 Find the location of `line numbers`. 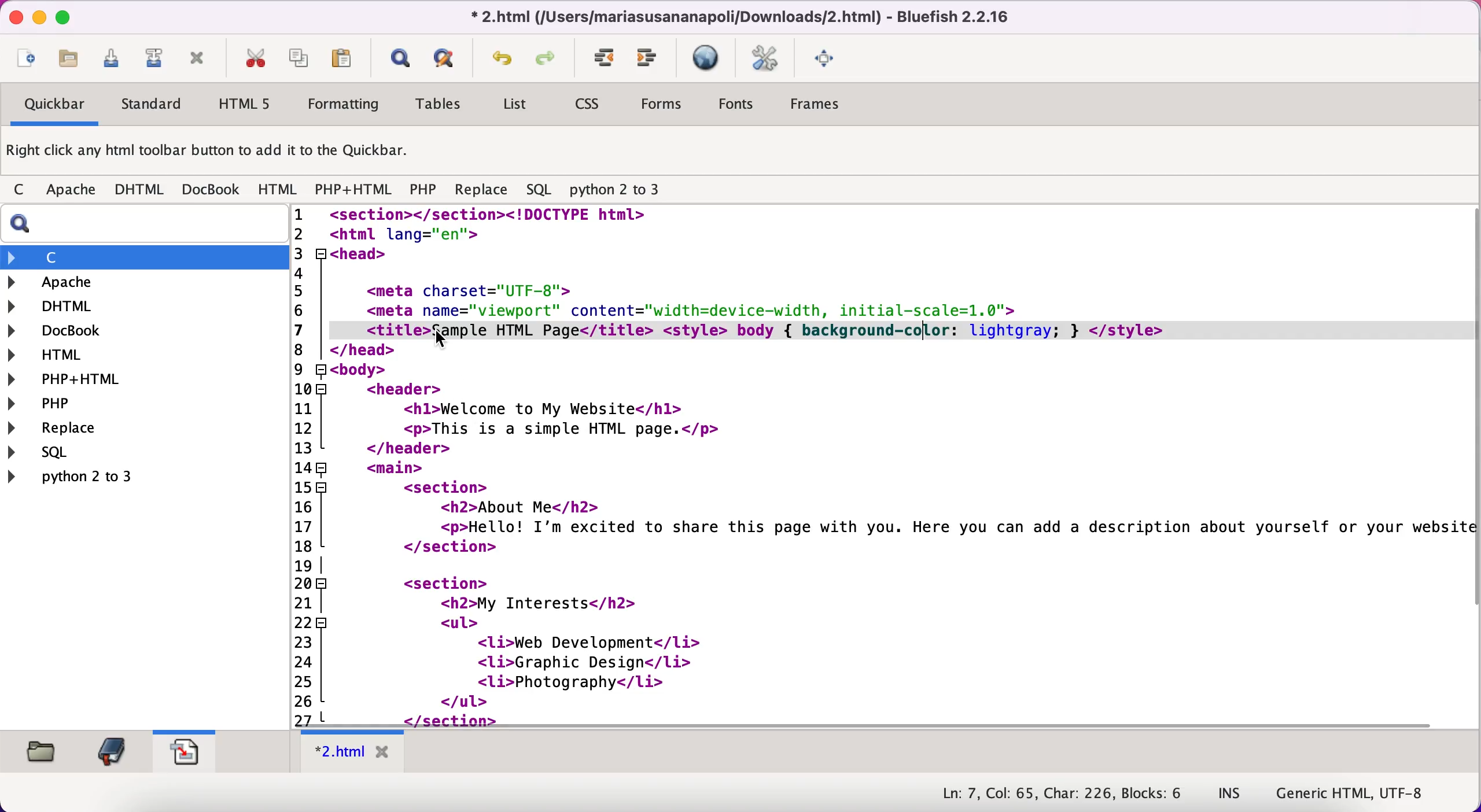

line numbers is located at coordinates (309, 463).